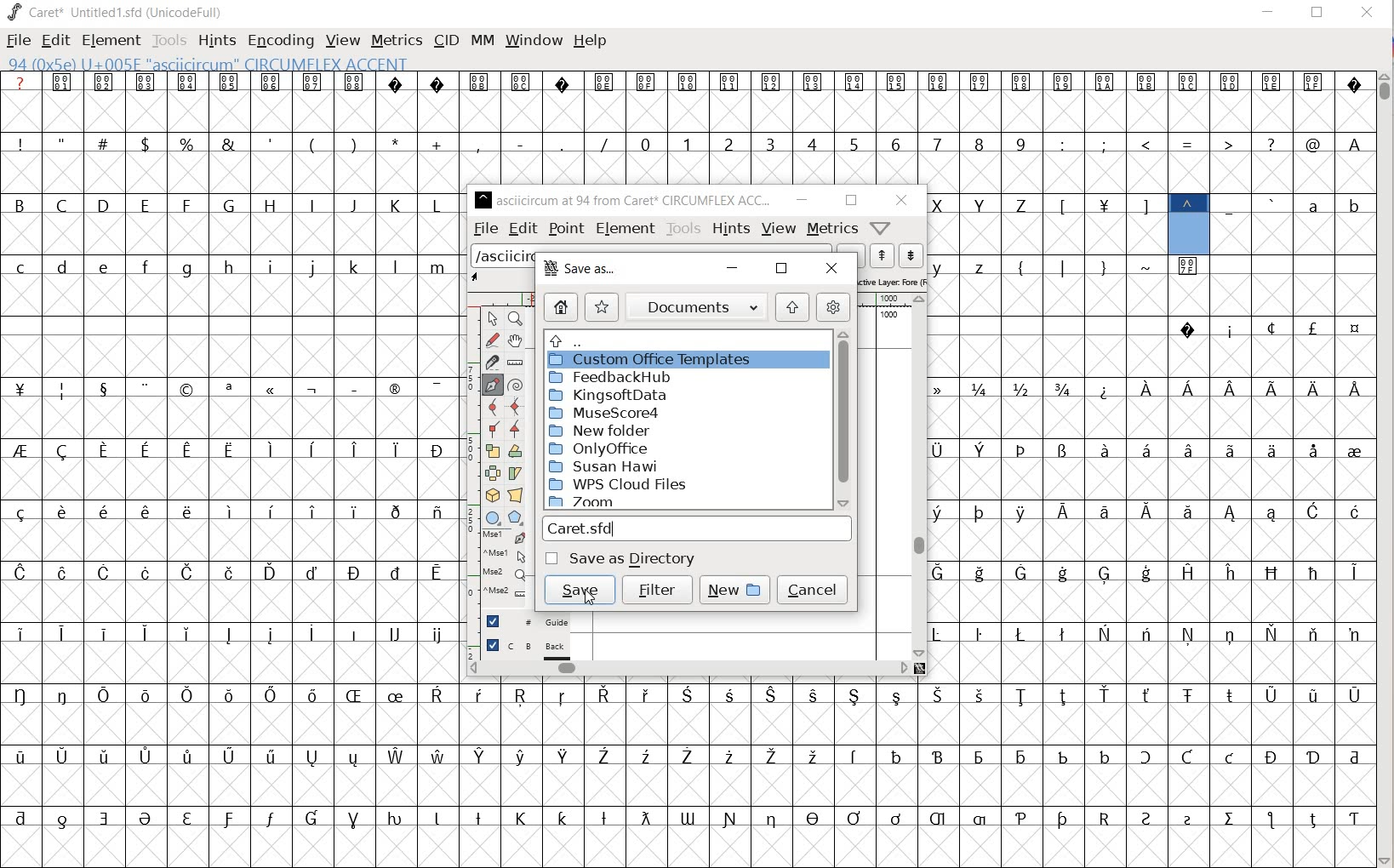 The image size is (1394, 868). What do you see at coordinates (920, 785) in the screenshot?
I see `glyph characters` at bounding box center [920, 785].